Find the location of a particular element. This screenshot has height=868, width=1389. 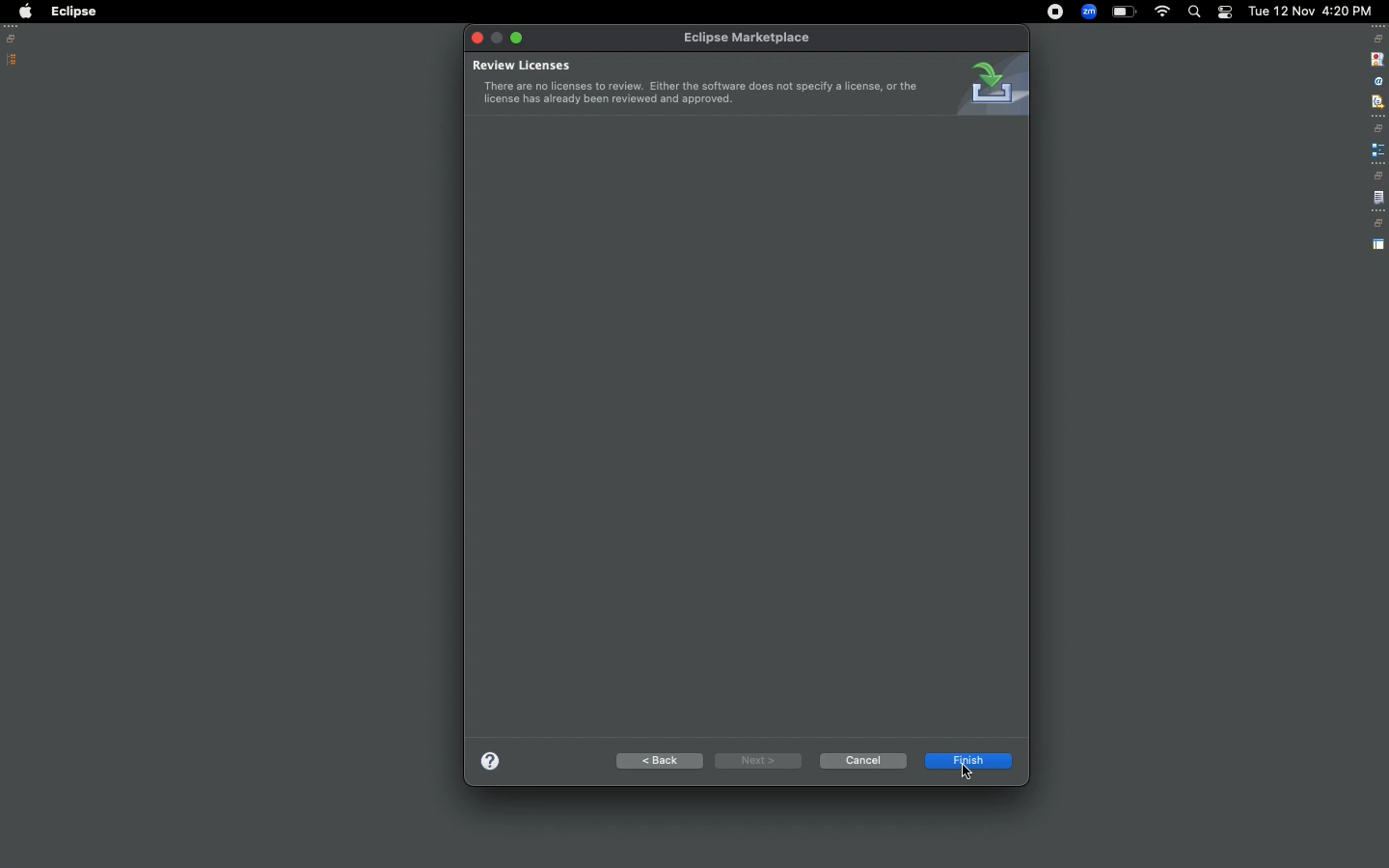

Package explorer is located at coordinates (13, 60).